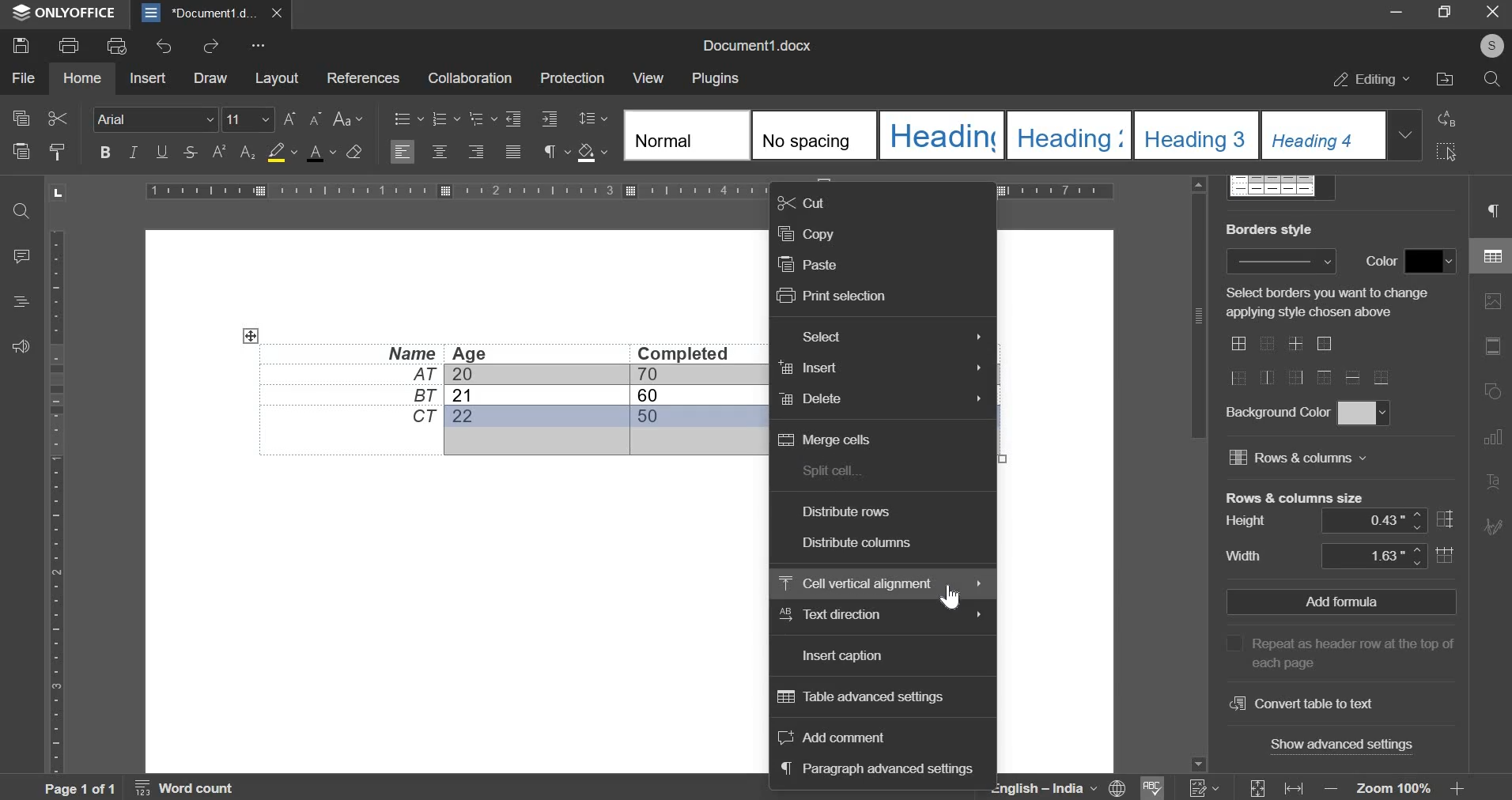  Describe the element at coordinates (950, 596) in the screenshot. I see `cursor` at that location.